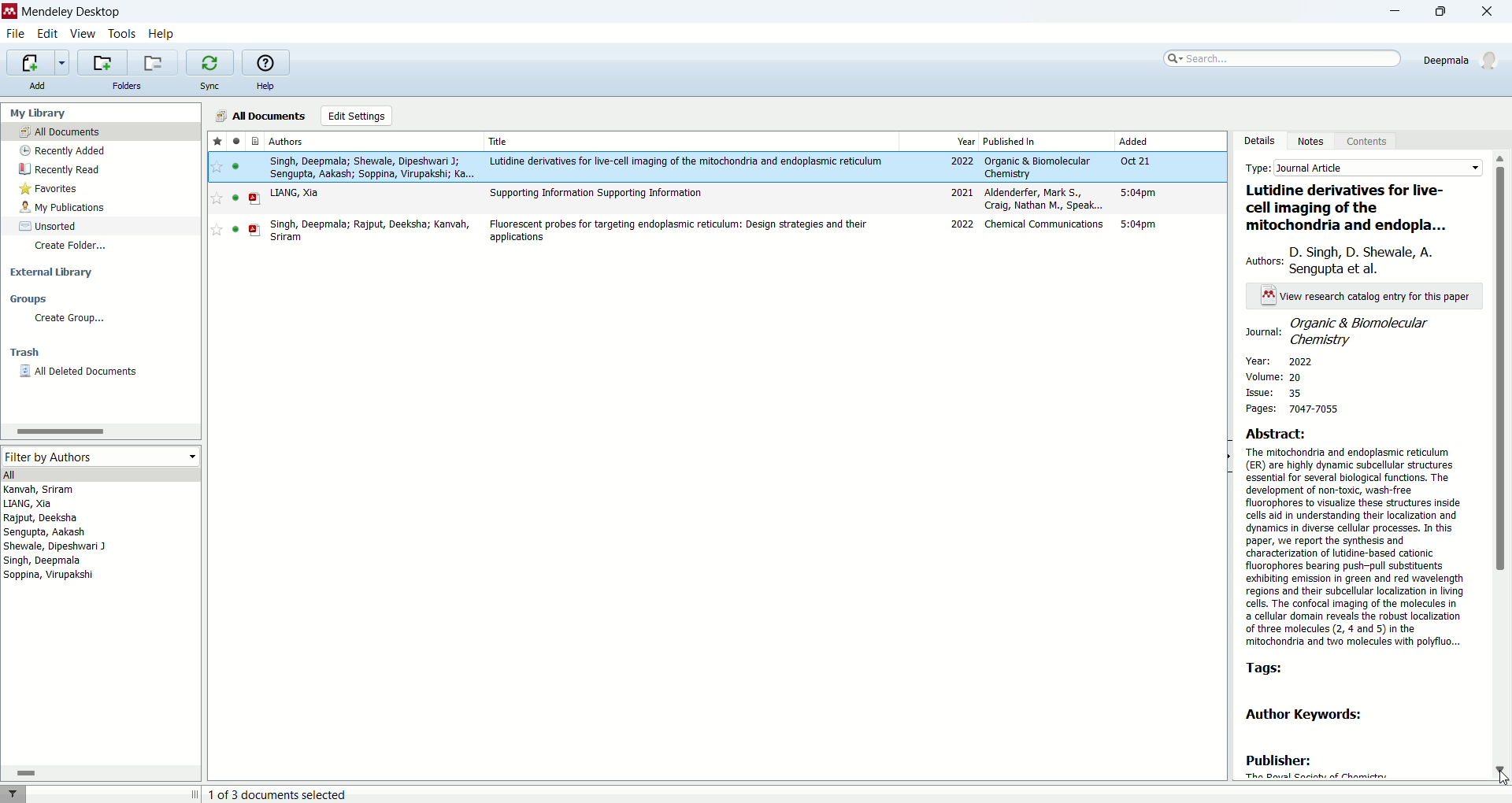 The height and width of the screenshot is (803, 1512). I want to click on favorites, so click(50, 189).